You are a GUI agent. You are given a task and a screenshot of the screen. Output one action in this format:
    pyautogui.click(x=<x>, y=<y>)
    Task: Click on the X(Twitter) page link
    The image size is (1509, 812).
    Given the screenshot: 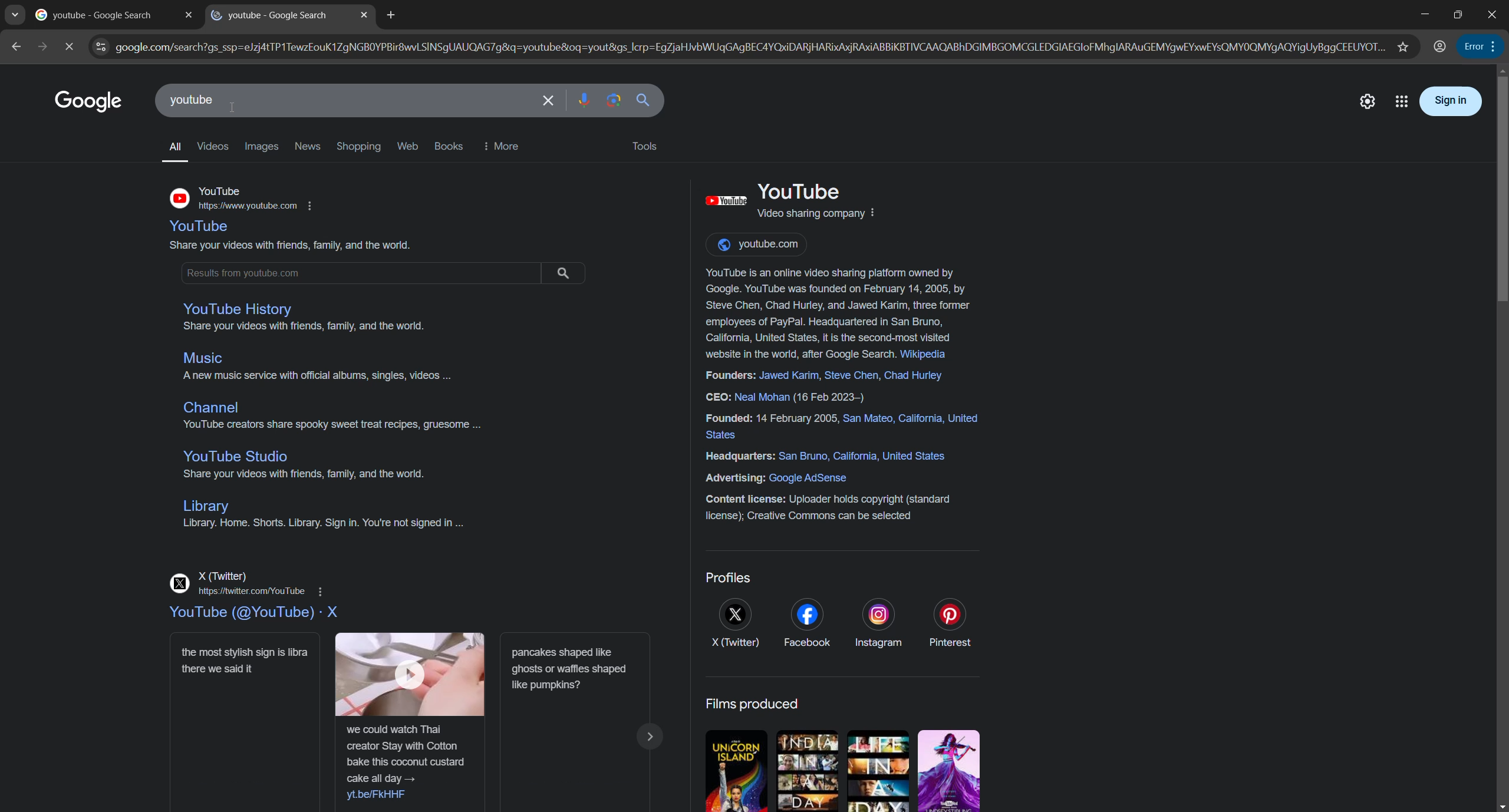 What is the action you would take?
    pyautogui.click(x=249, y=583)
    